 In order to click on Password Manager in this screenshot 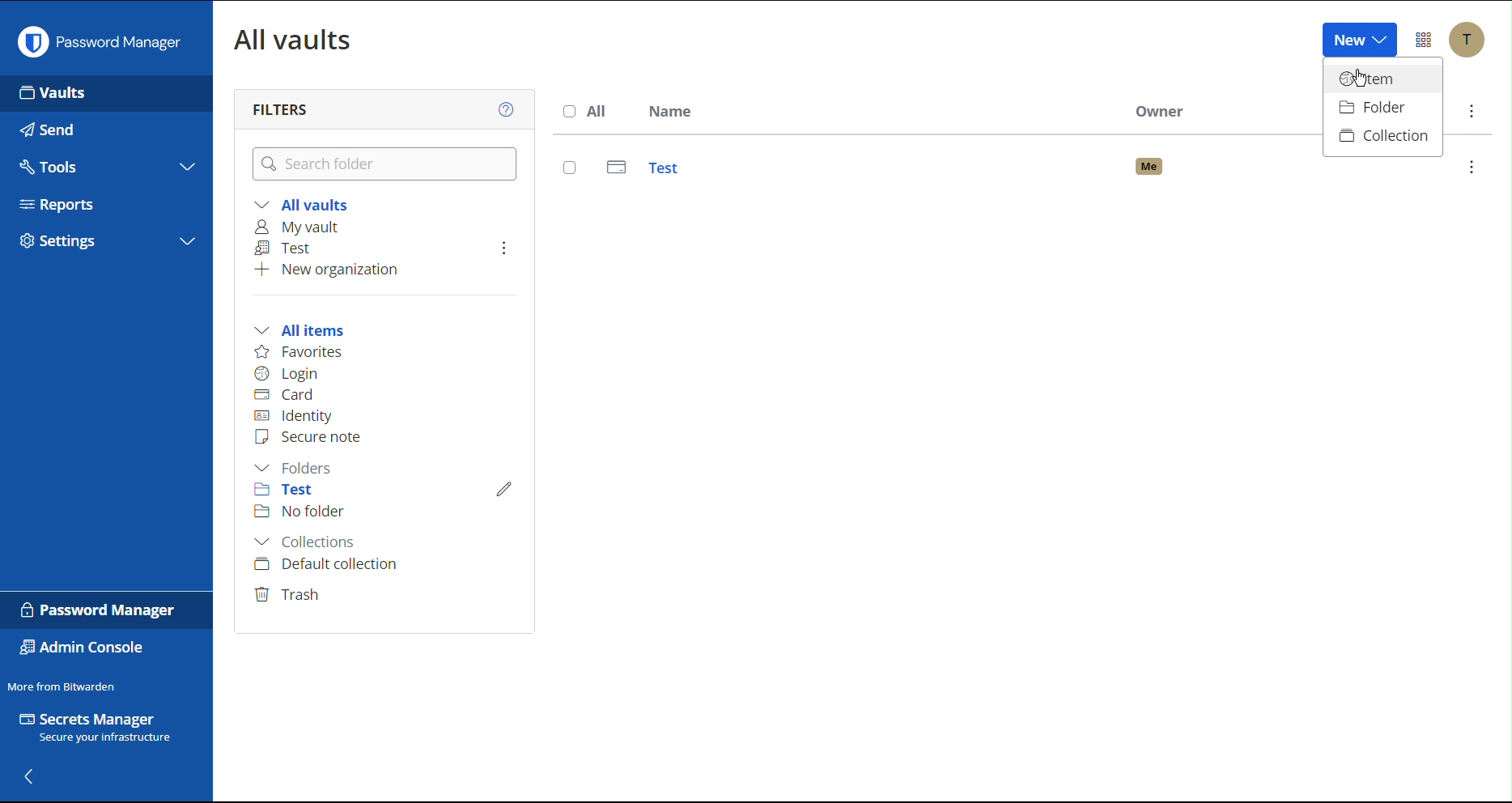, I will do `click(99, 38)`.